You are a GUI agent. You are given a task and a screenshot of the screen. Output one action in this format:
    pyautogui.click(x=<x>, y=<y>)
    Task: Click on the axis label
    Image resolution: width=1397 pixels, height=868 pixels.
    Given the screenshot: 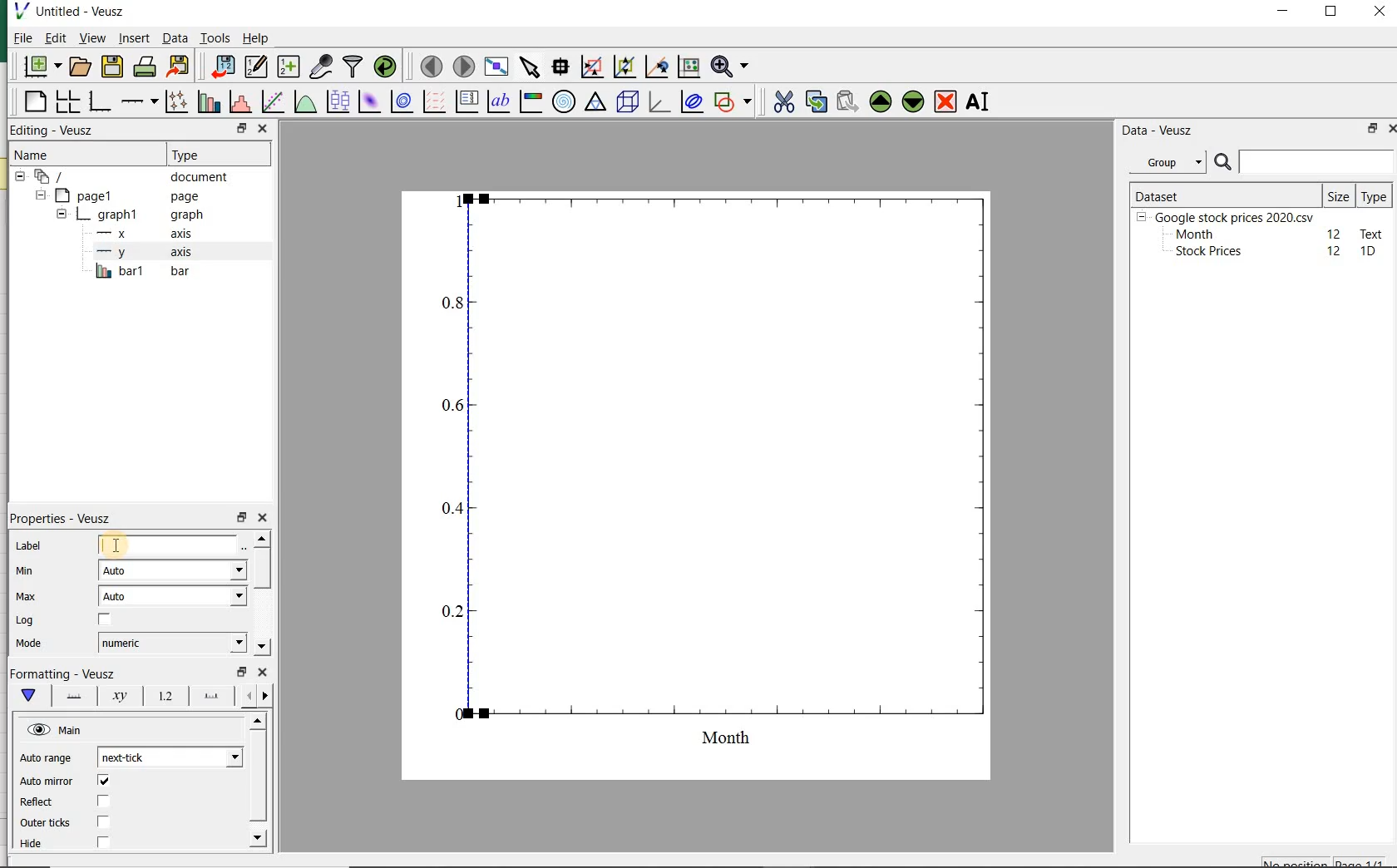 What is the action you would take?
    pyautogui.click(x=121, y=696)
    